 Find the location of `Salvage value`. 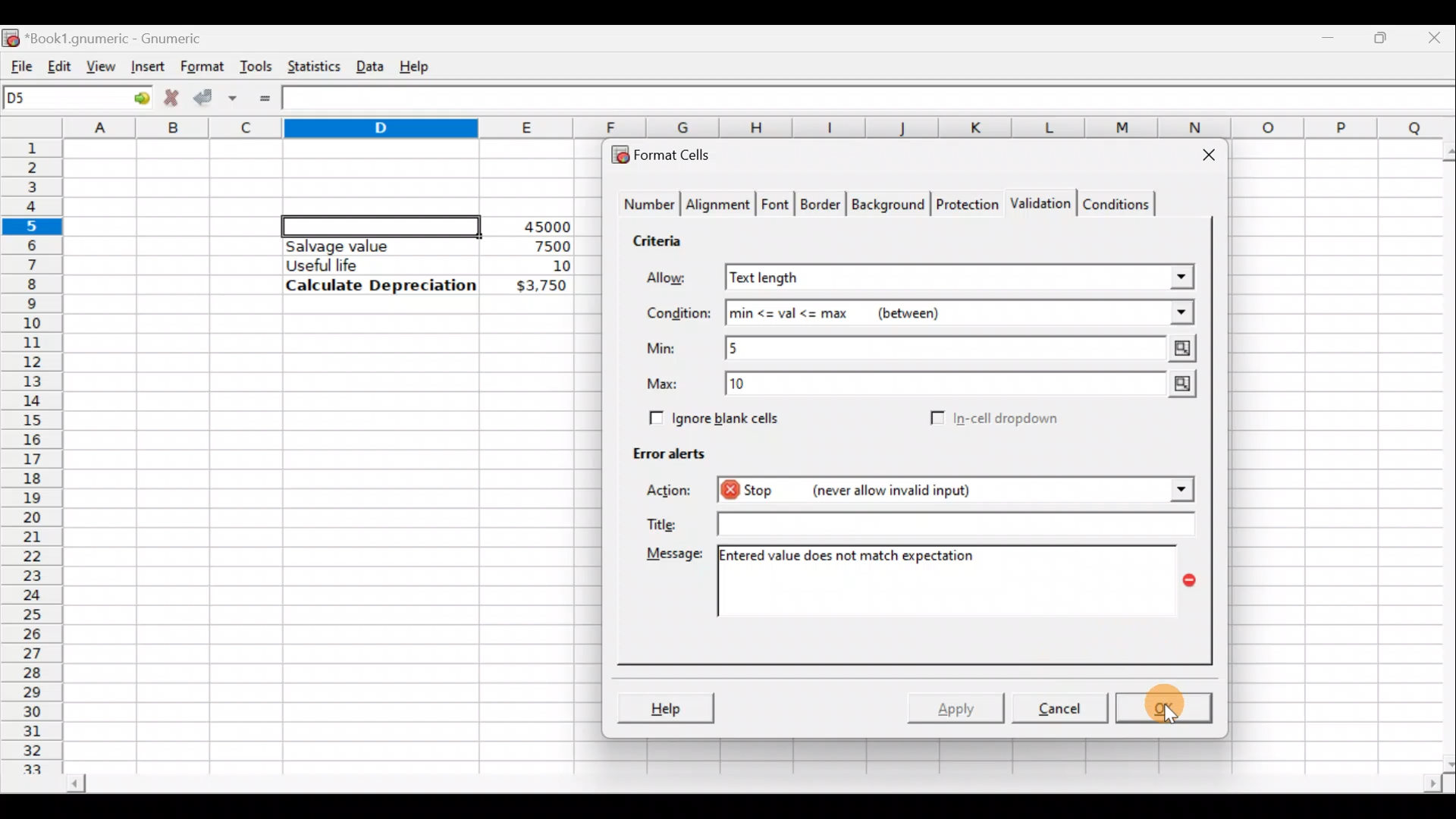

Salvage value is located at coordinates (367, 246).